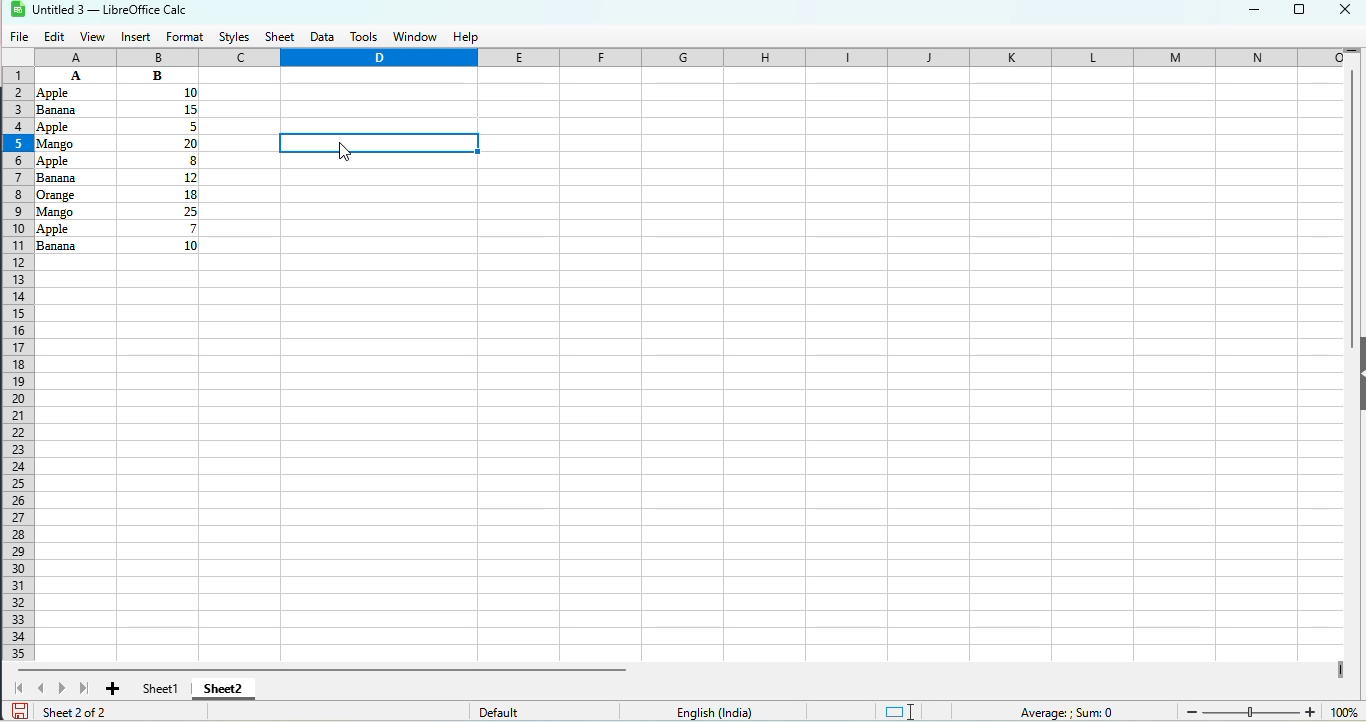 The image size is (1366, 722). Describe the element at coordinates (1192, 711) in the screenshot. I see `Zoom out` at that location.